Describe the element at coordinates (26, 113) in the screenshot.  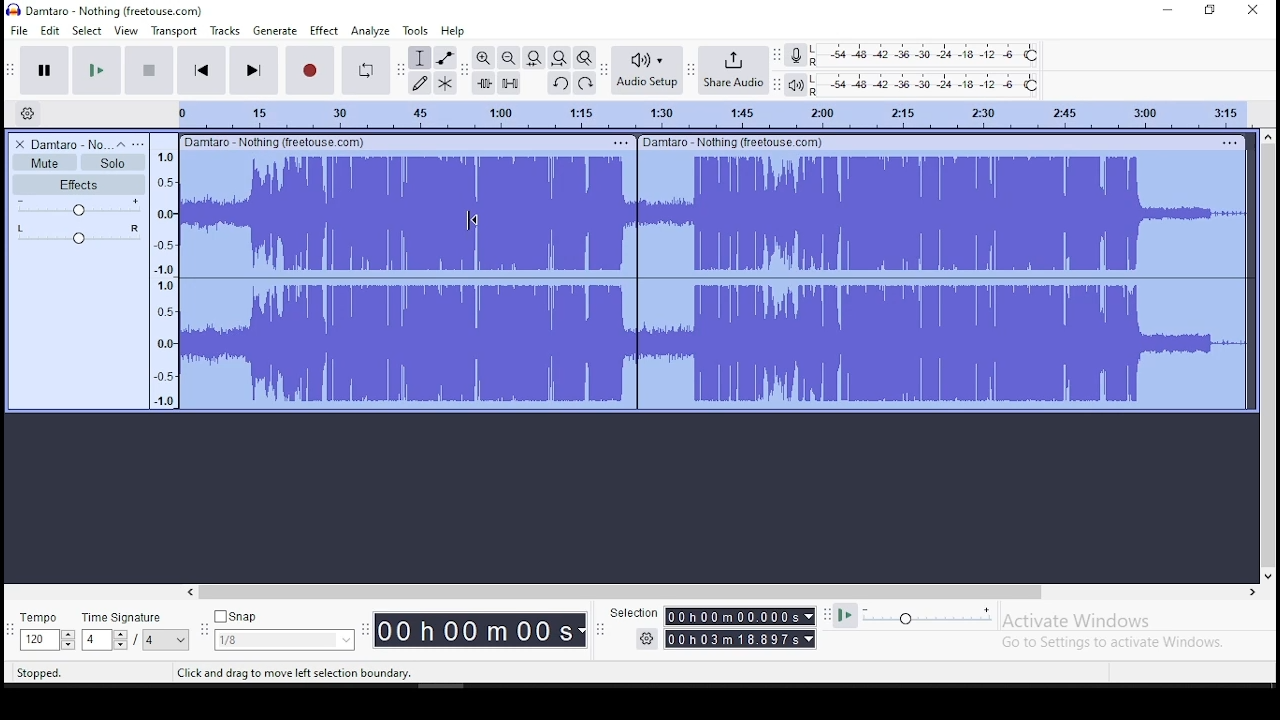
I see `timeline settings` at that location.